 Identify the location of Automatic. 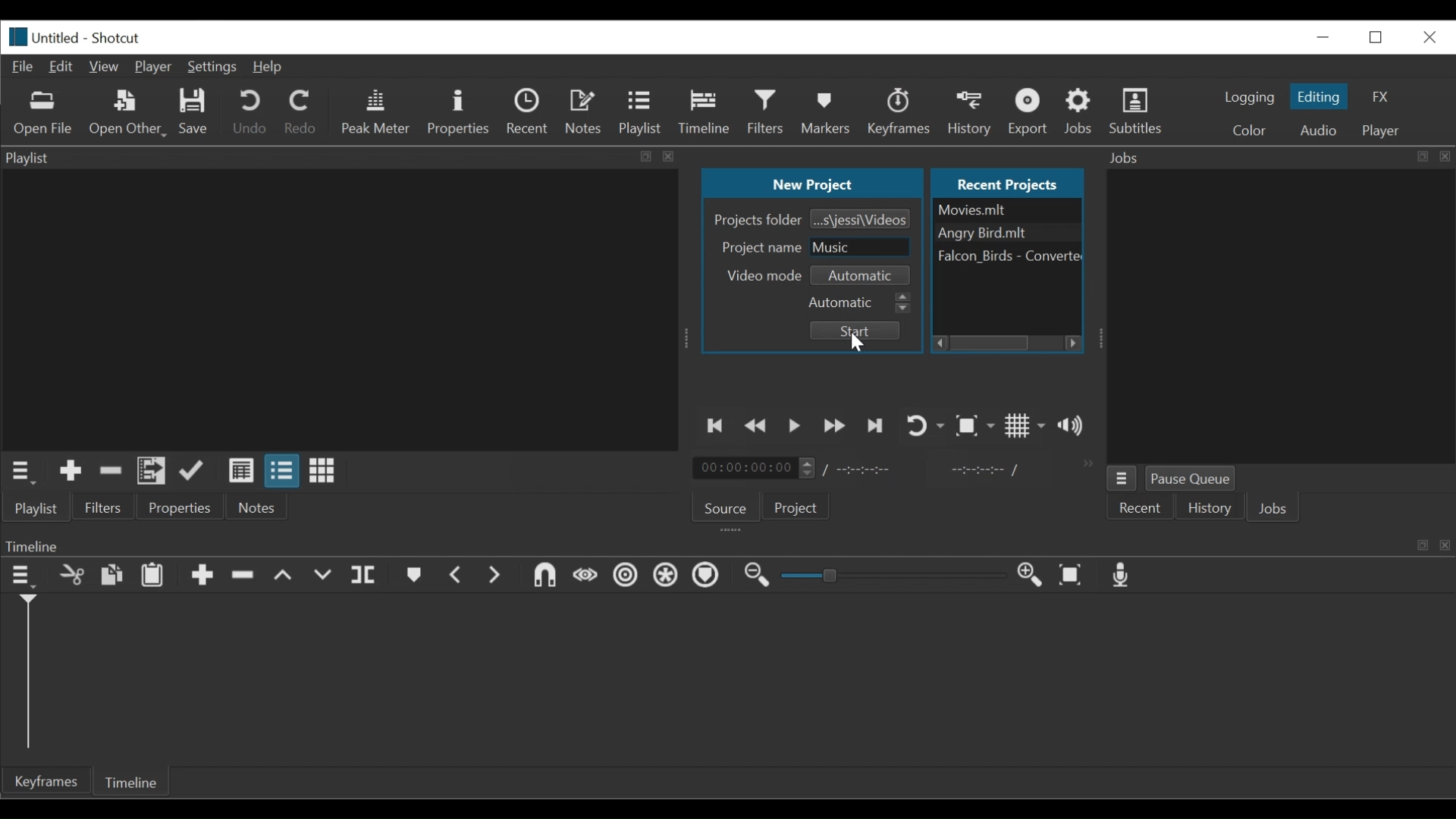
(861, 302).